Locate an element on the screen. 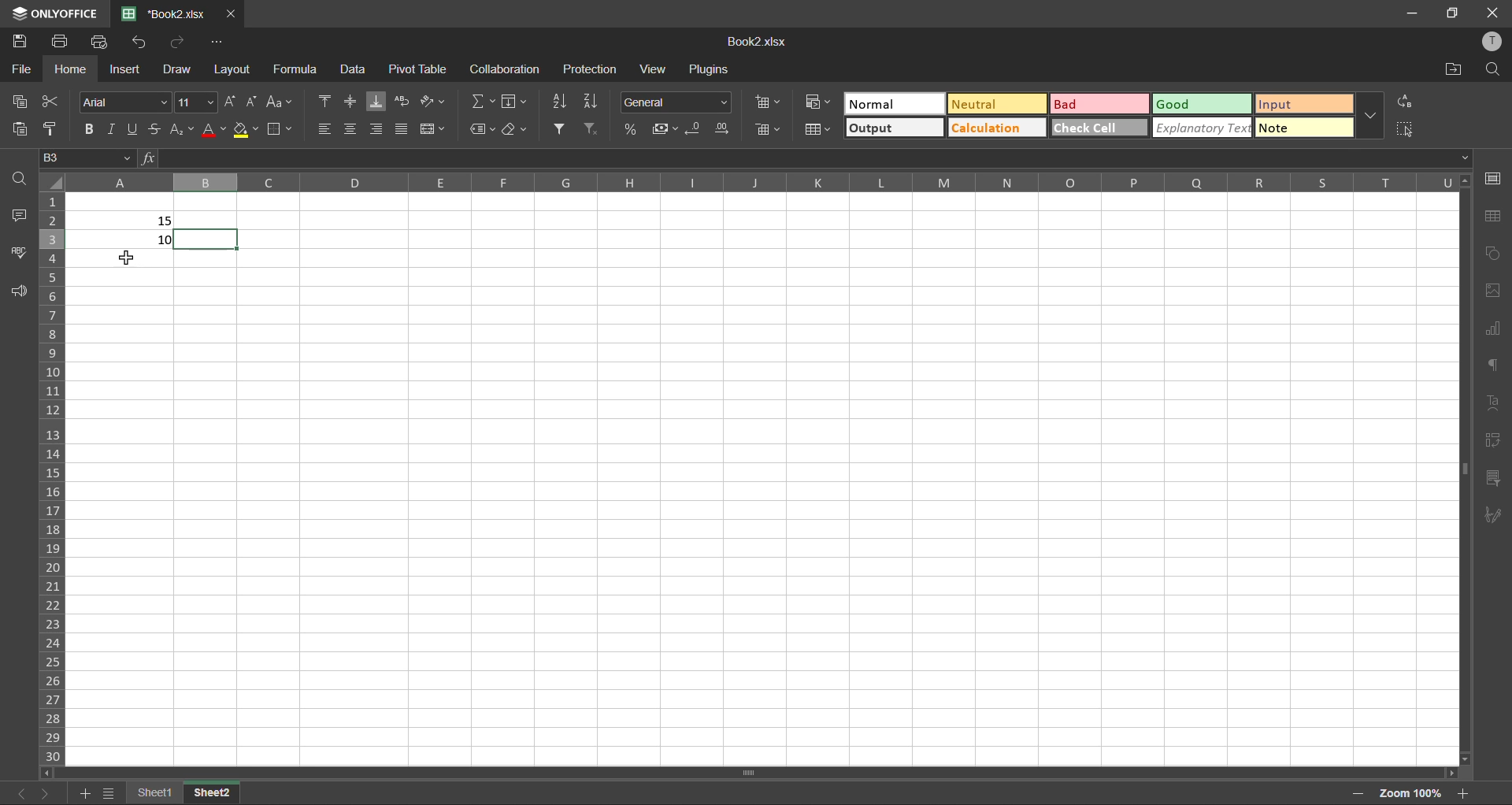 This screenshot has width=1512, height=805. minimize is located at coordinates (1410, 12).